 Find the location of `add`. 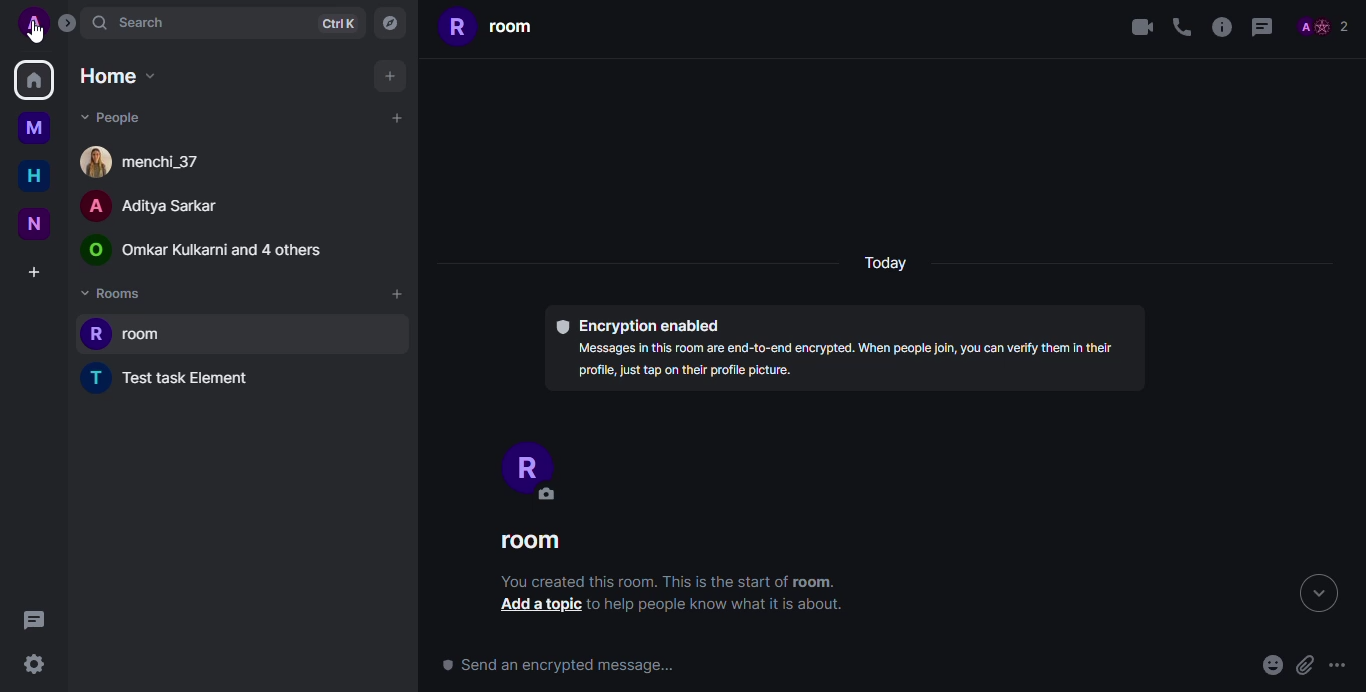

add is located at coordinates (391, 76).